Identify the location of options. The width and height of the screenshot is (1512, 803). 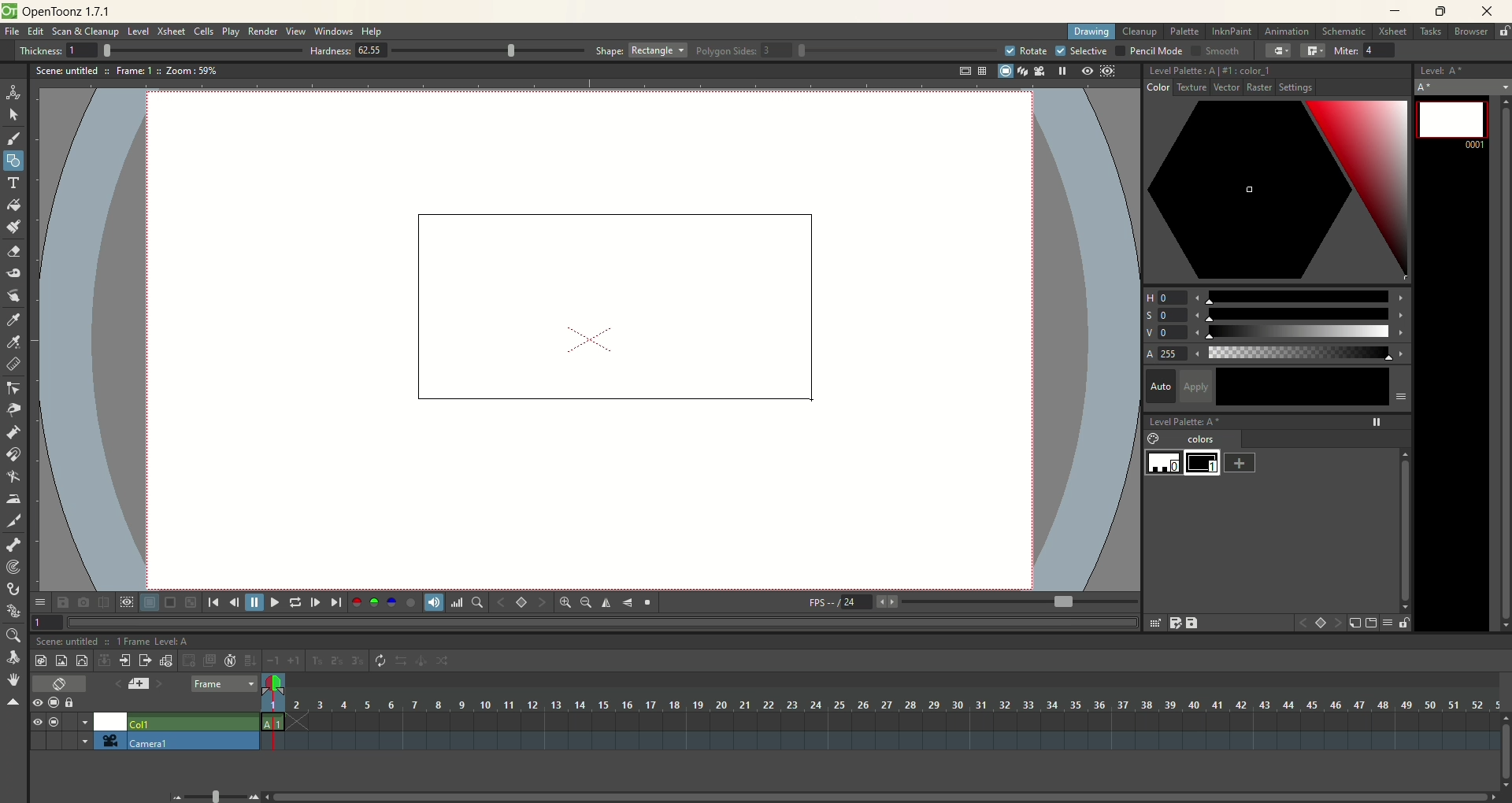
(39, 599).